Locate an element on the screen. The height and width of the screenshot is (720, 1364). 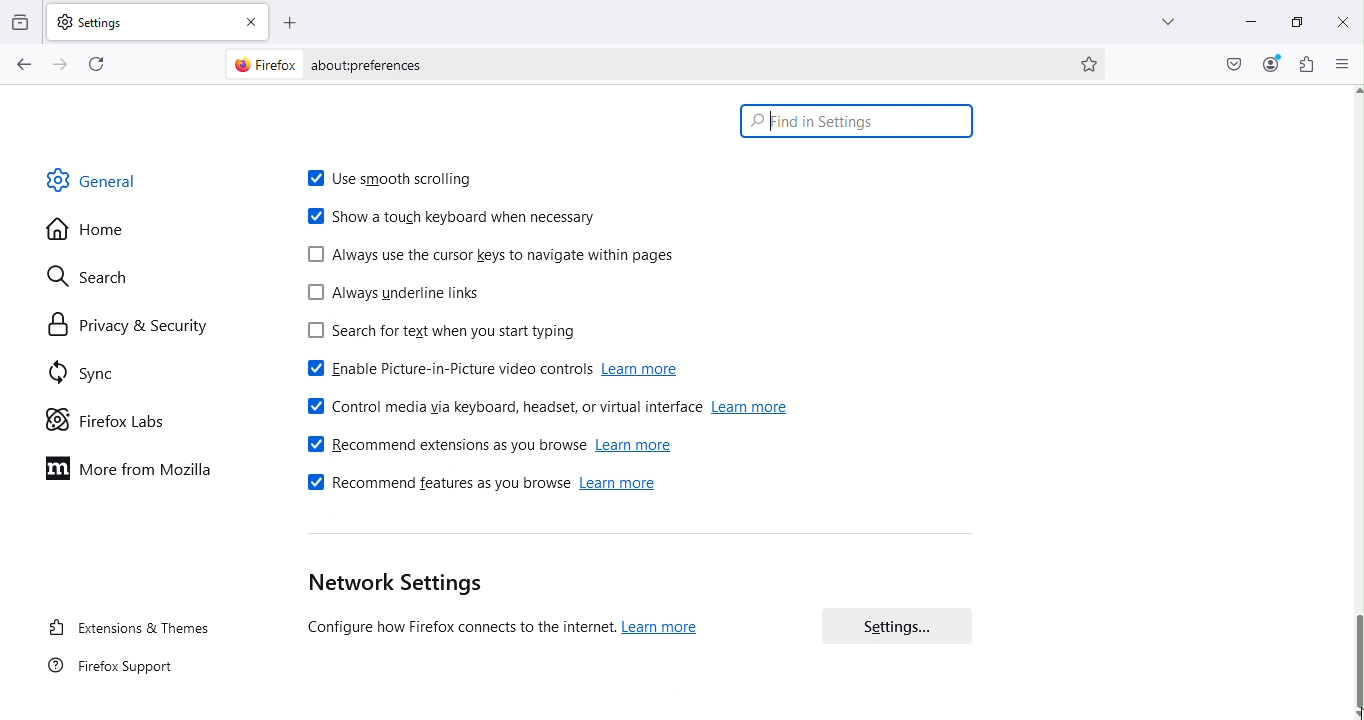
Address bar is located at coordinates (690, 64).